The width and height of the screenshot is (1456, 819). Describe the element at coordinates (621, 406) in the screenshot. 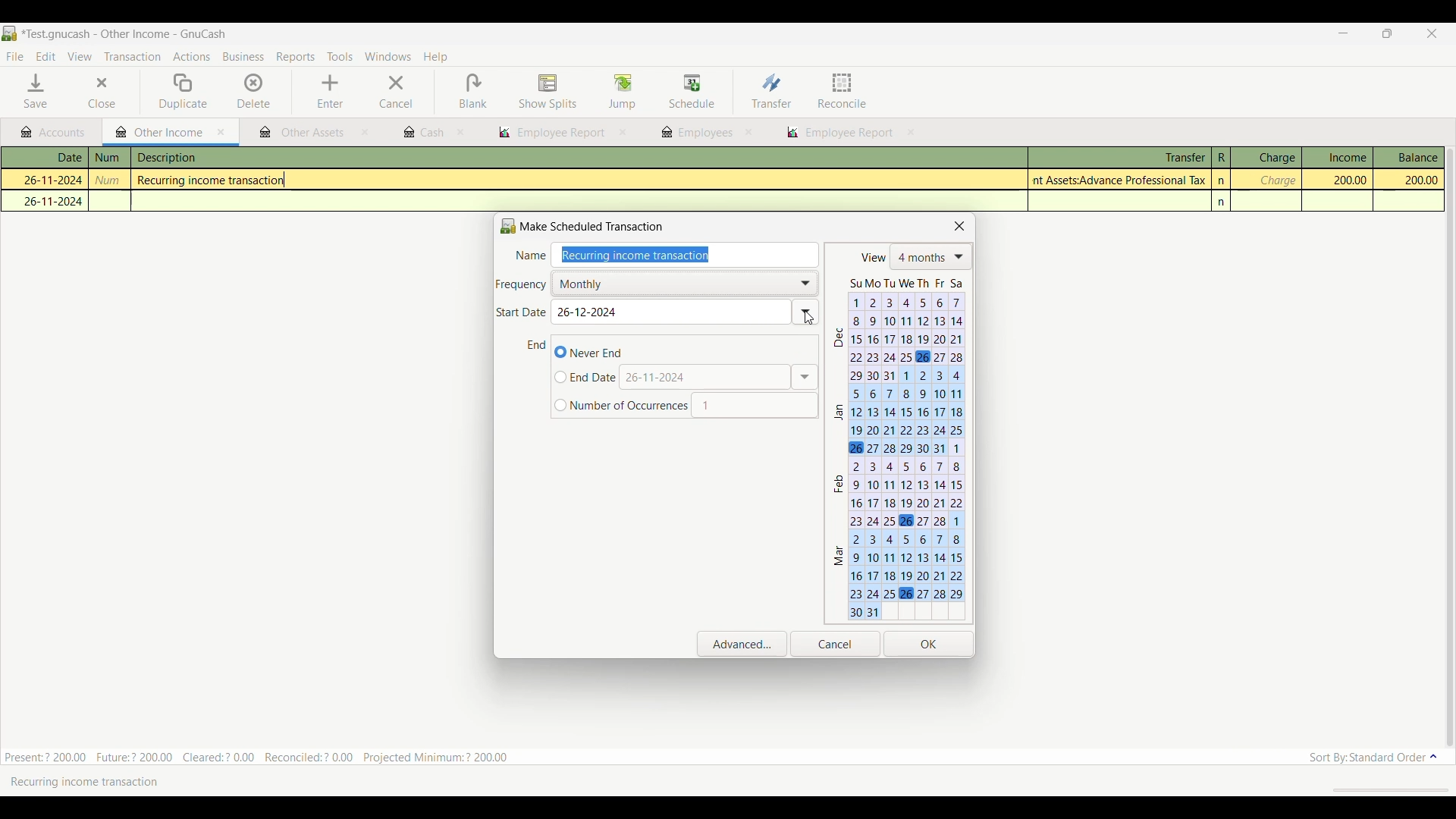

I see `Input number of finite occurrences` at that location.